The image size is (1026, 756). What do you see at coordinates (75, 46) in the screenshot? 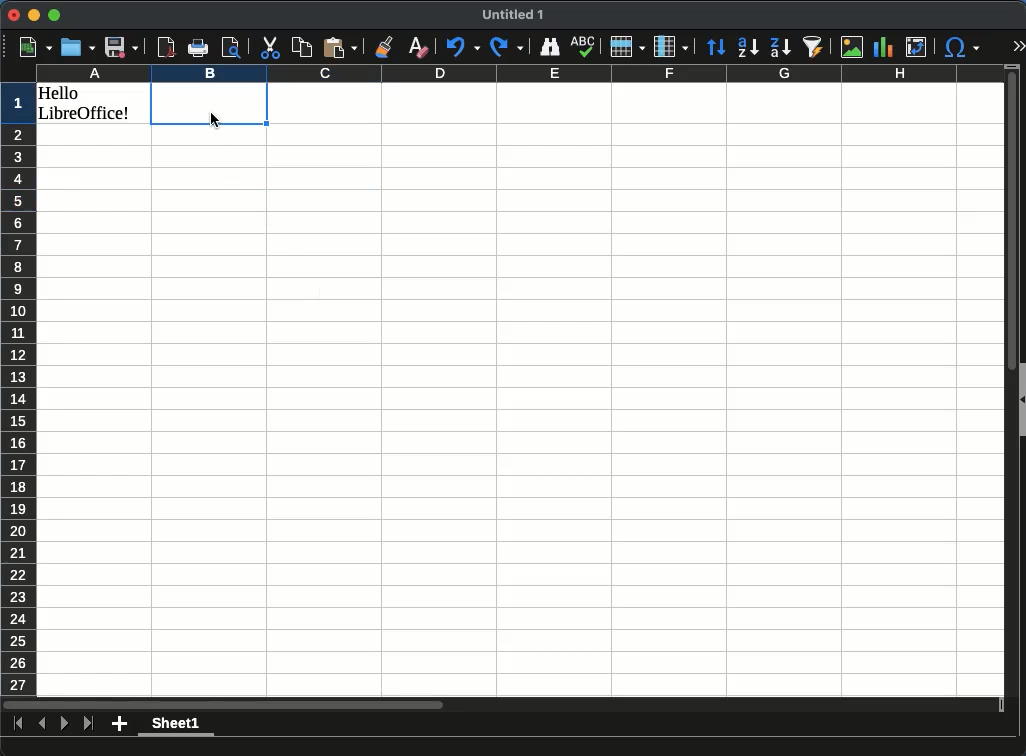
I see `open` at bounding box center [75, 46].